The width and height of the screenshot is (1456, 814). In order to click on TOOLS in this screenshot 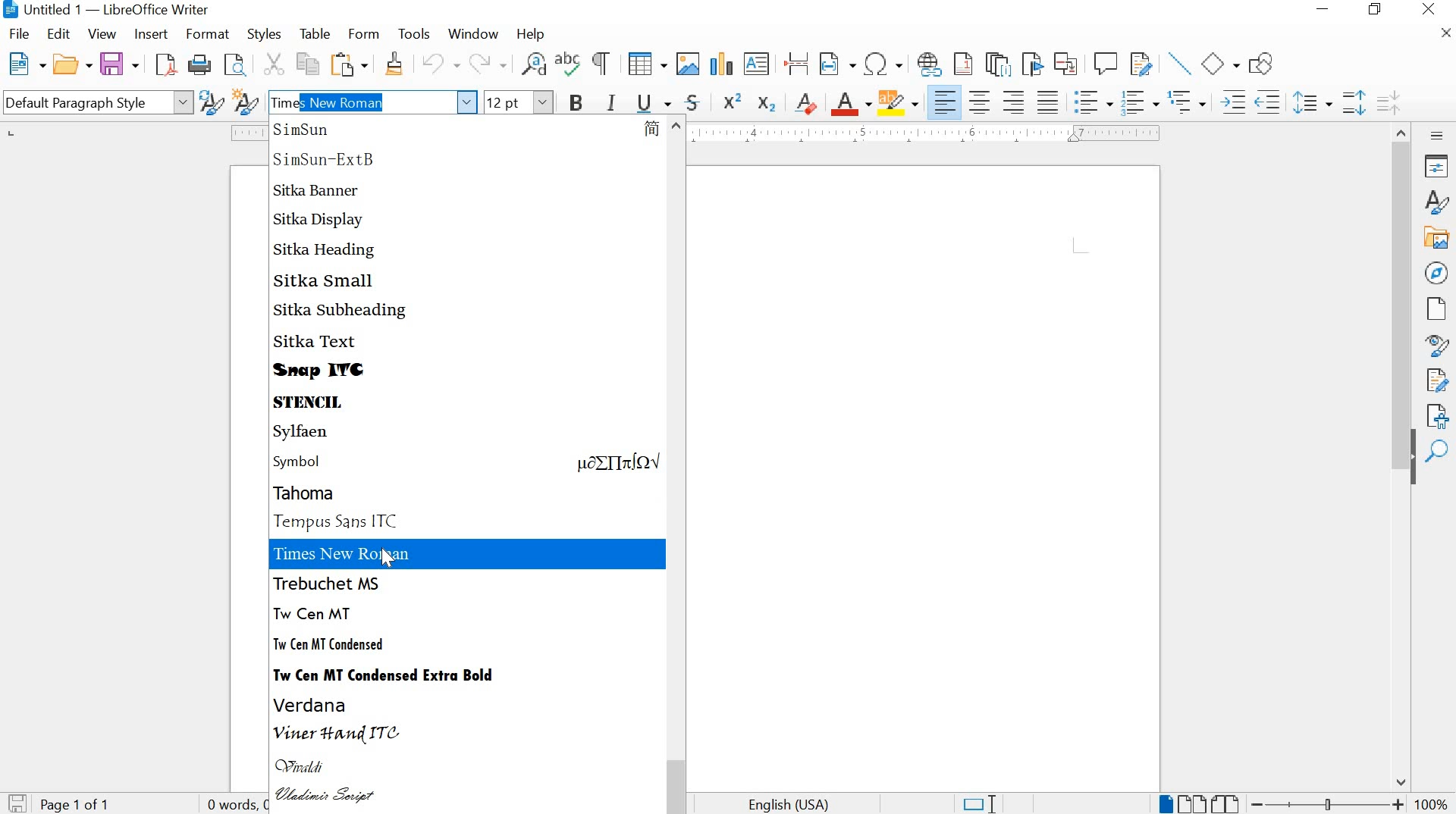, I will do `click(413, 35)`.